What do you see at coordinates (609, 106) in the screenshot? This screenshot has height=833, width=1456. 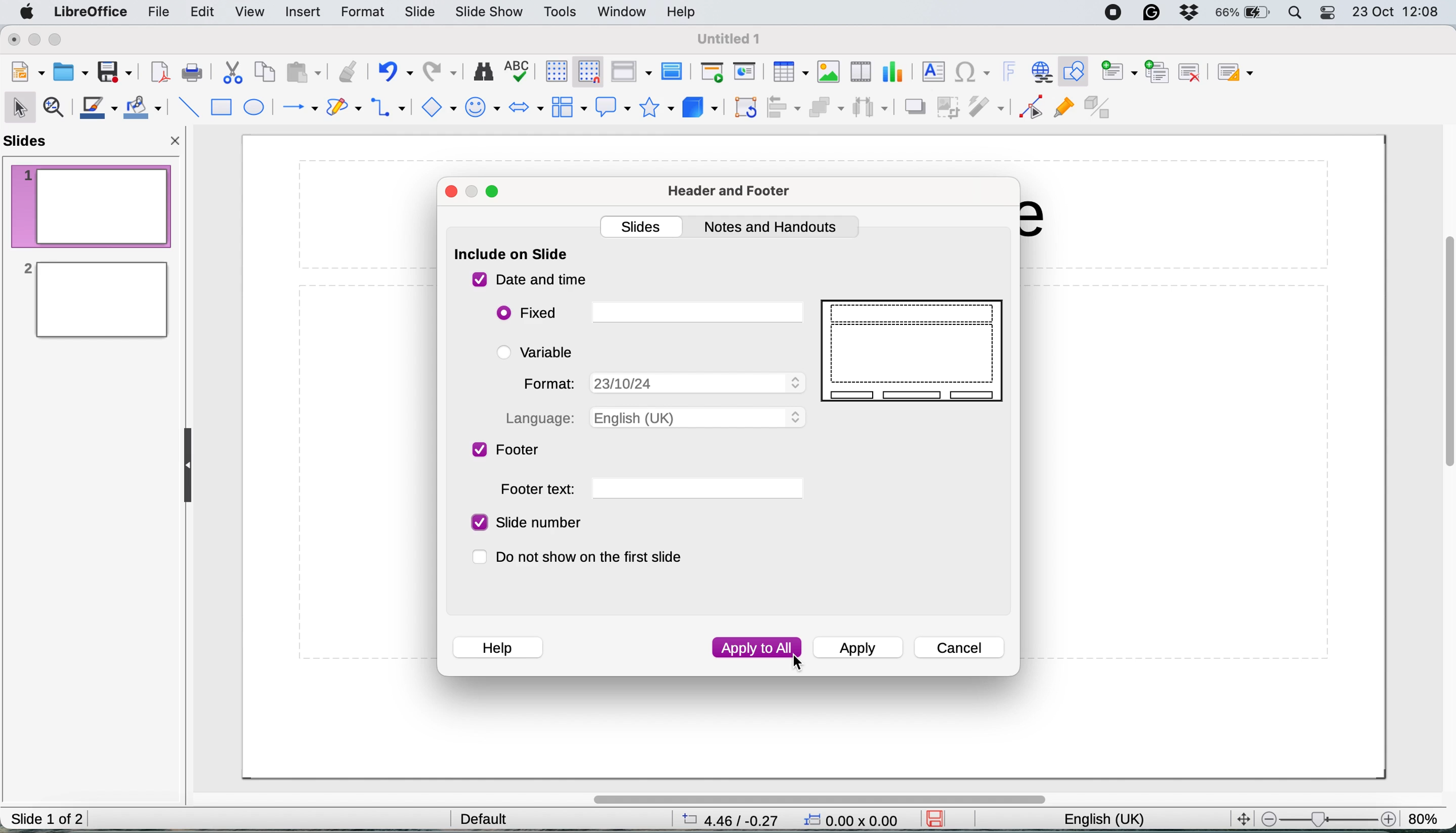 I see `callout shapes` at bounding box center [609, 106].